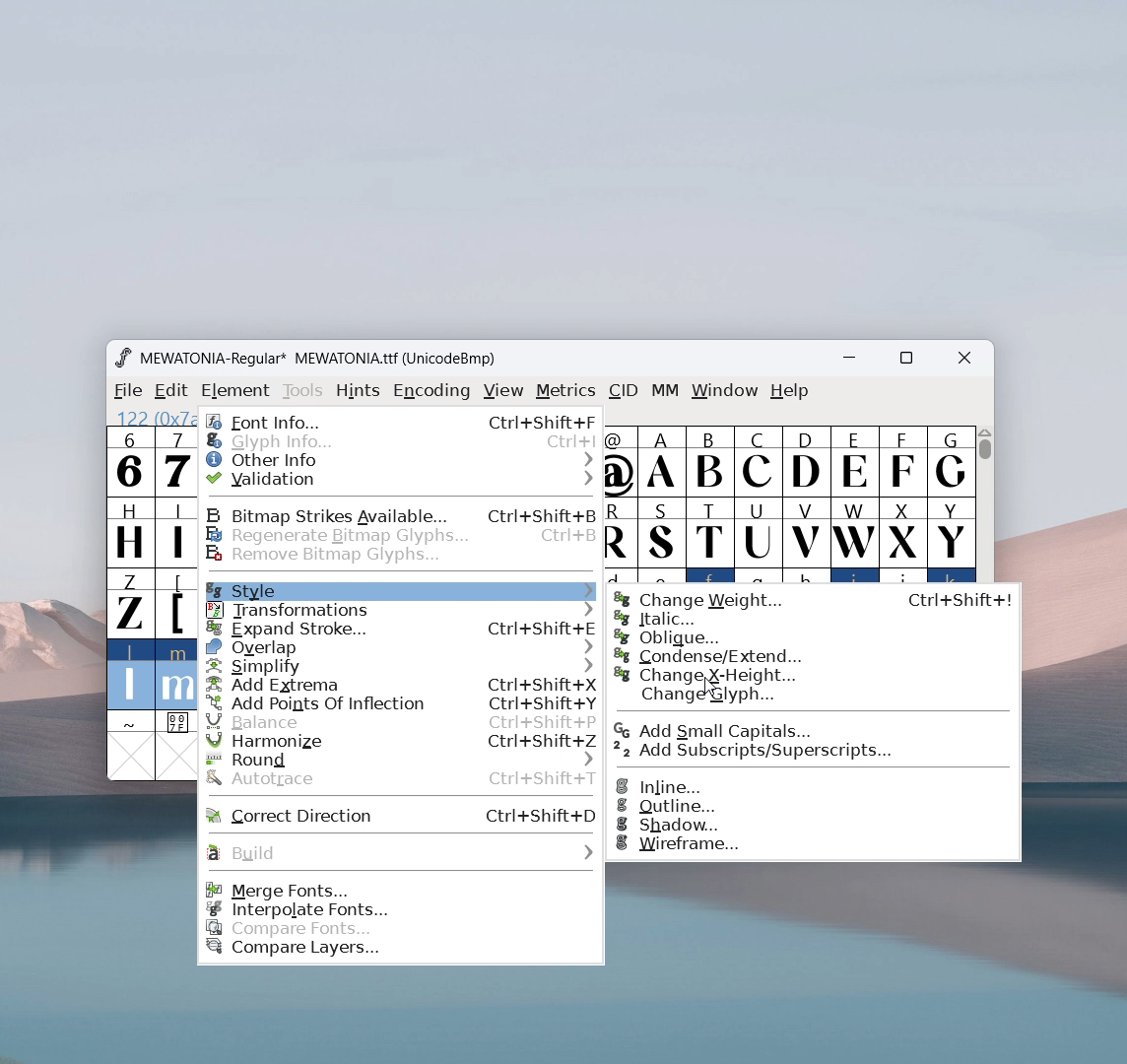 This screenshot has height=1064, width=1127. Describe the element at coordinates (402, 610) in the screenshot. I see `transformations` at that location.